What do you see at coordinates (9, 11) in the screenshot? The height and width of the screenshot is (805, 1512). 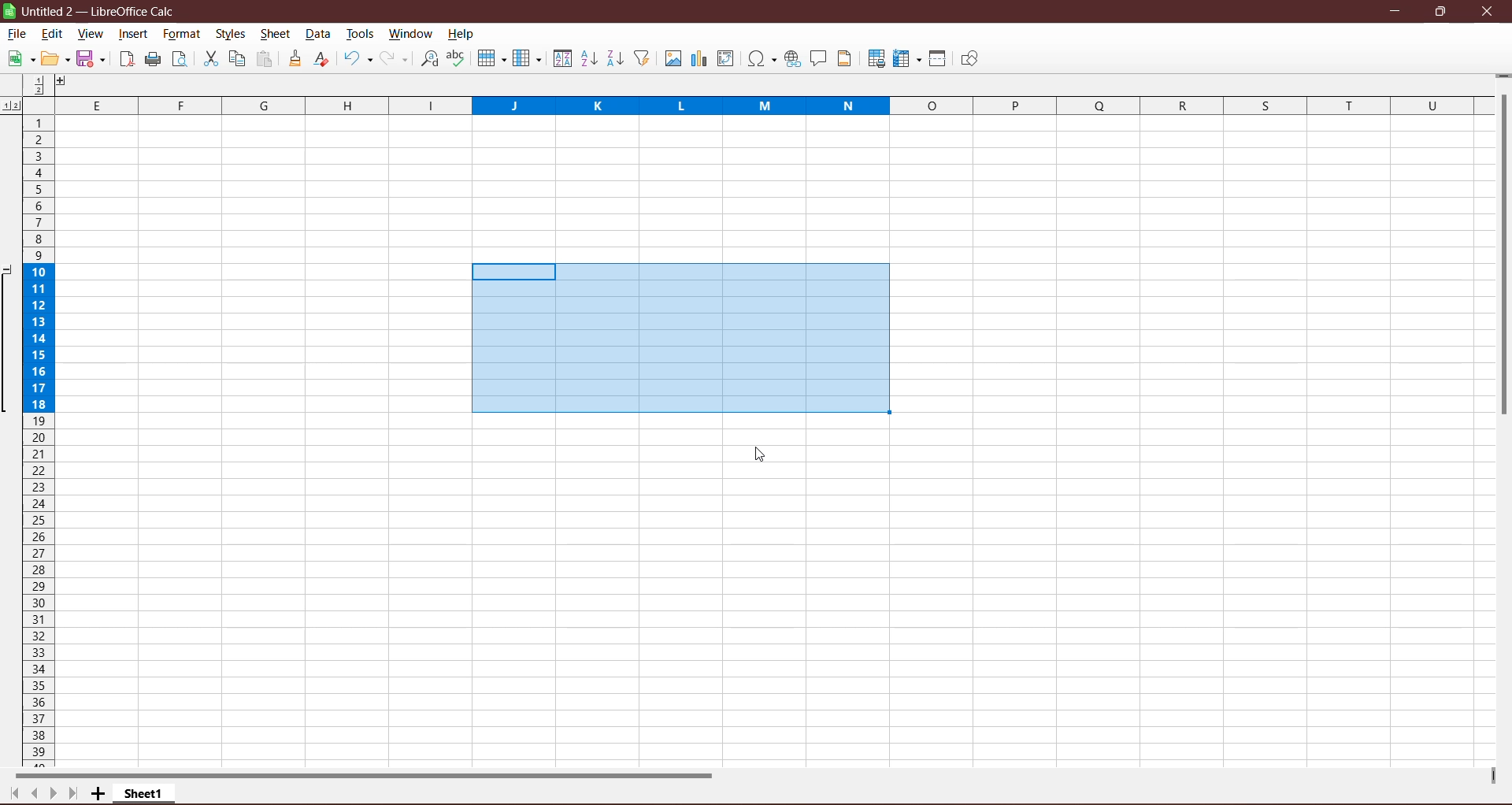 I see `Application Logo` at bounding box center [9, 11].